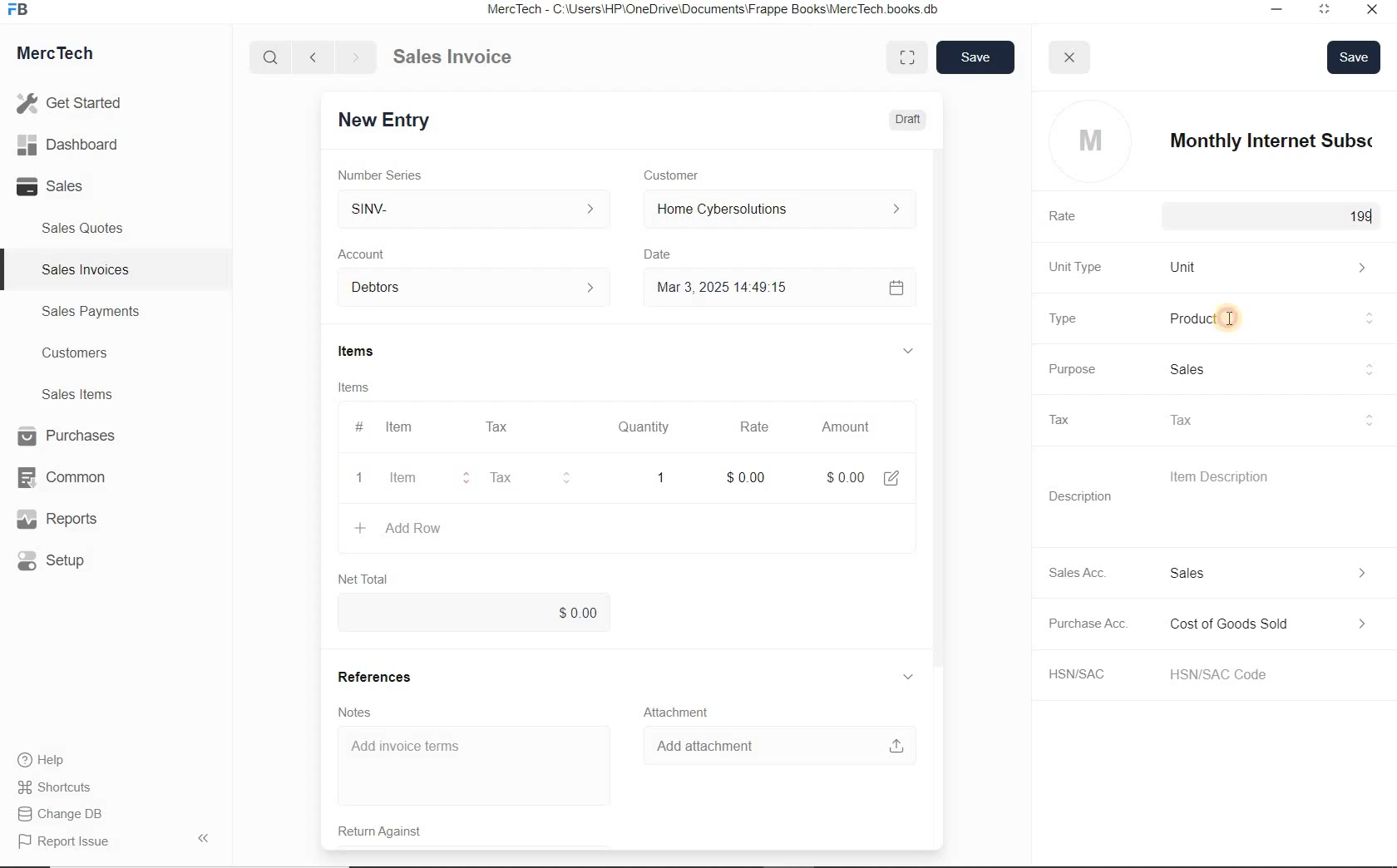 The width and height of the screenshot is (1397, 868). What do you see at coordinates (359, 711) in the screenshot?
I see `Notes` at bounding box center [359, 711].